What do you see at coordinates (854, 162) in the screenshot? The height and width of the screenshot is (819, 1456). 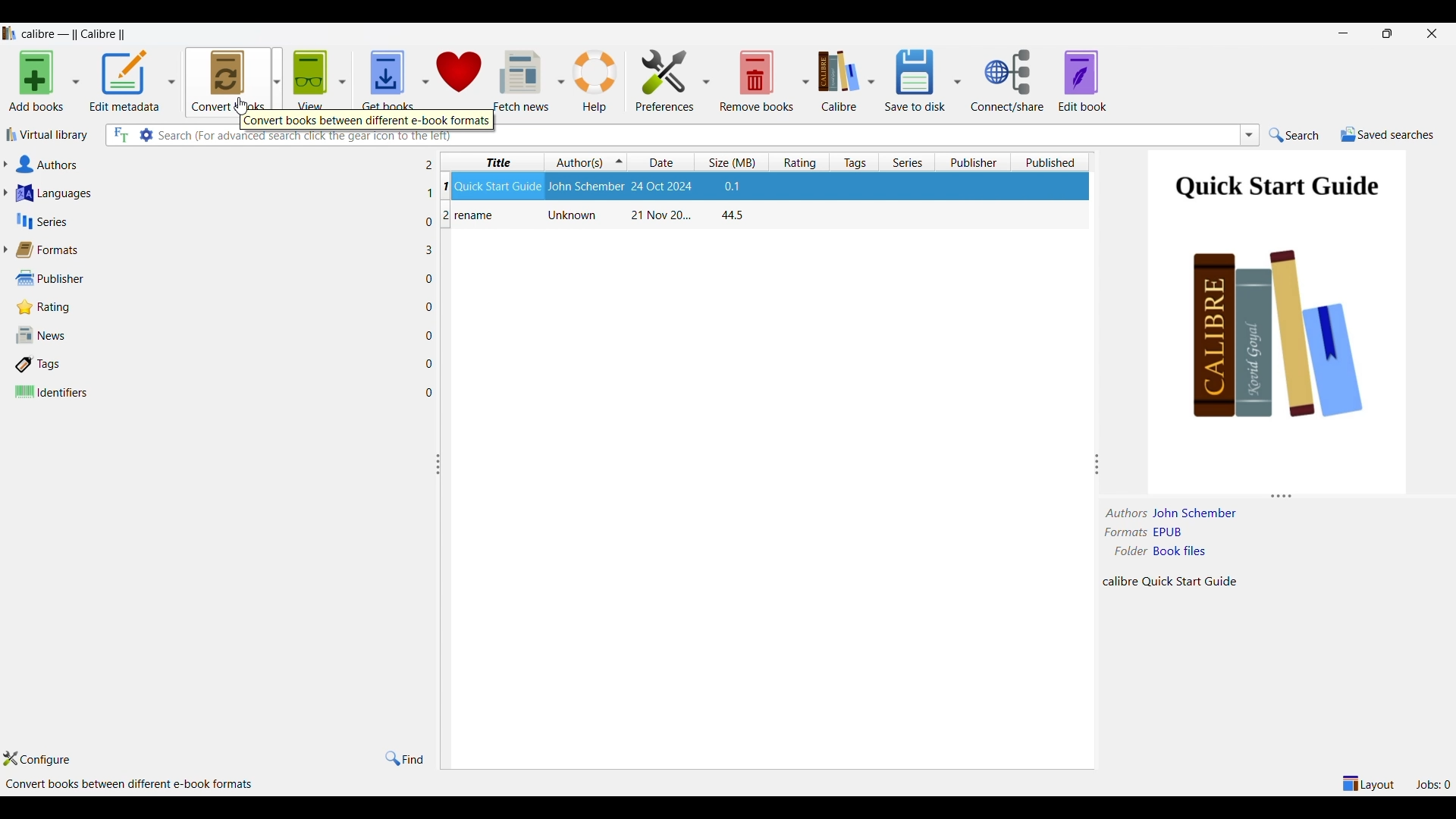 I see `Tags column` at bounding box center [854, 162].